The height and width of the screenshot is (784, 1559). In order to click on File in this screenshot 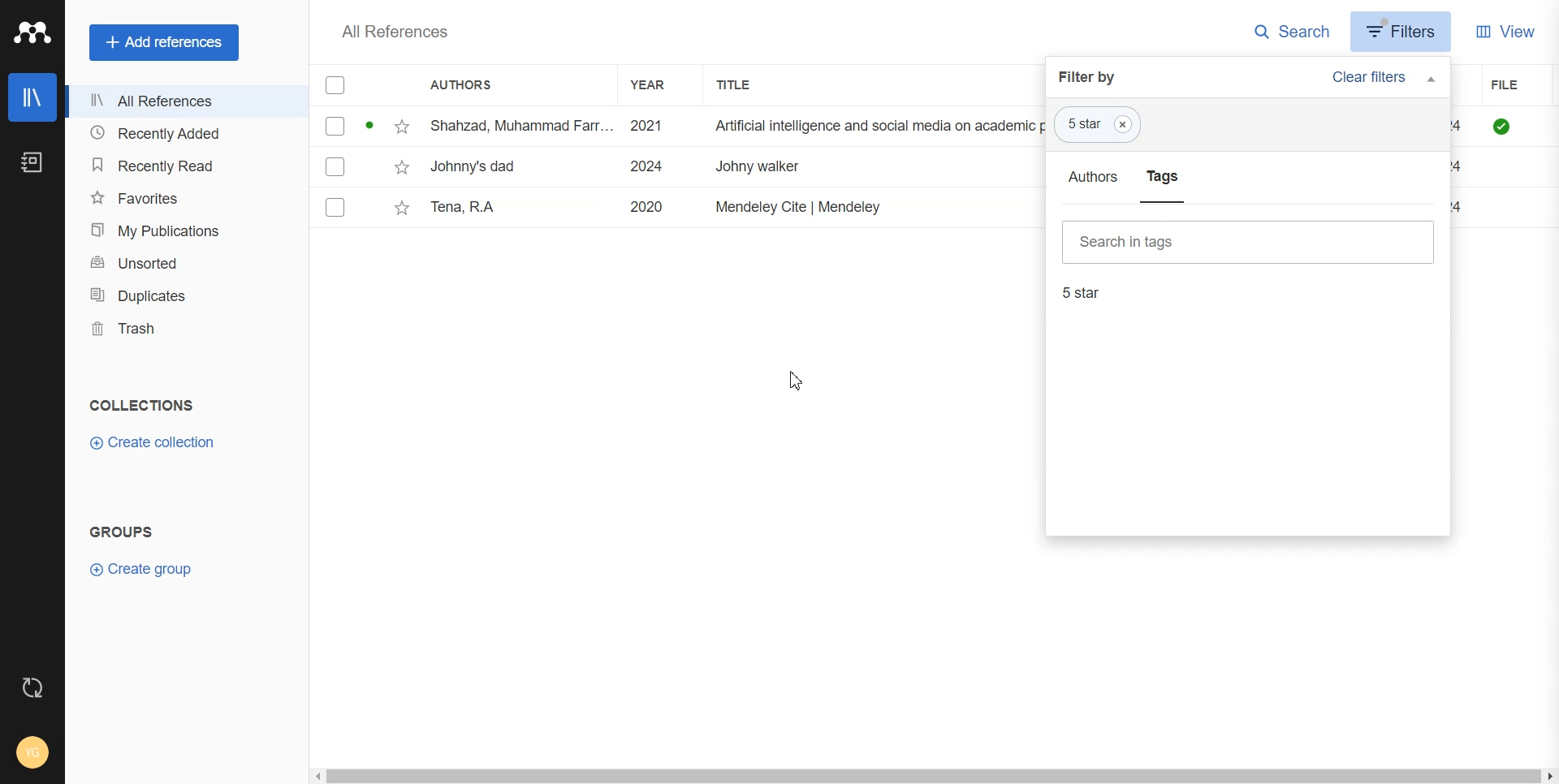, I will do `click(673, 126)`.